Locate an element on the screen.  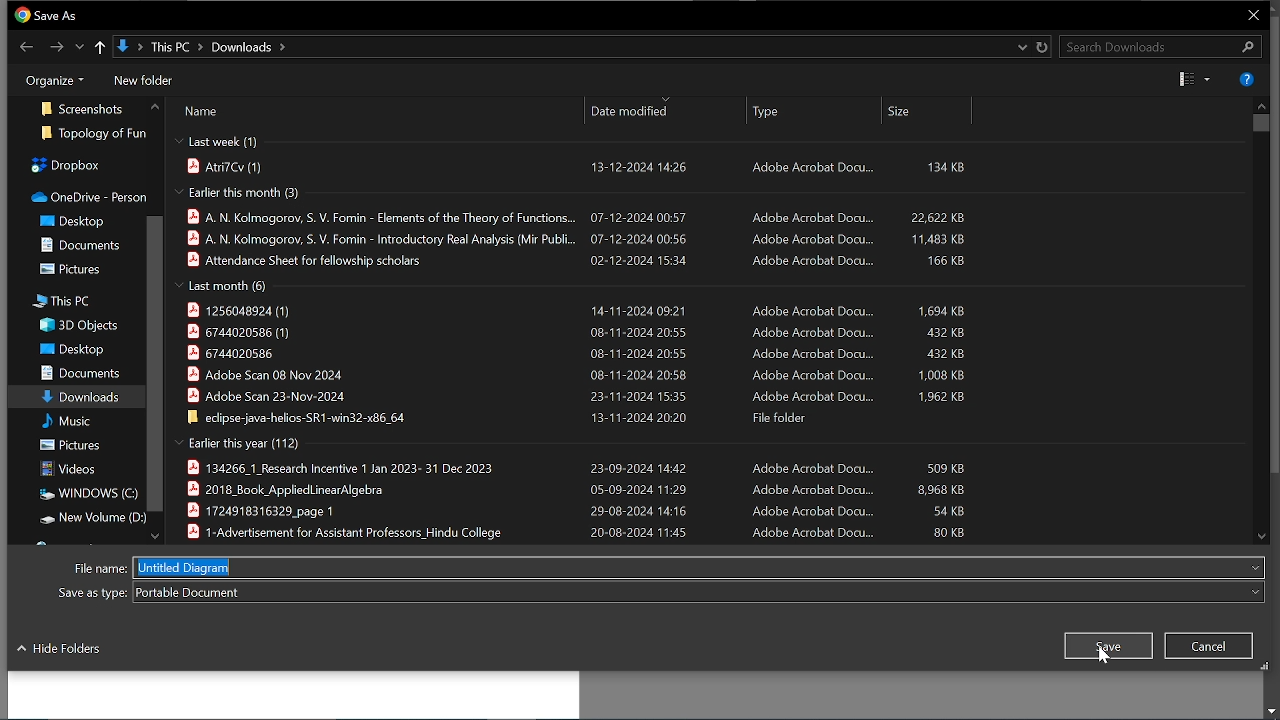
| 1256048924 (1) is located at coordinates (241, 312).